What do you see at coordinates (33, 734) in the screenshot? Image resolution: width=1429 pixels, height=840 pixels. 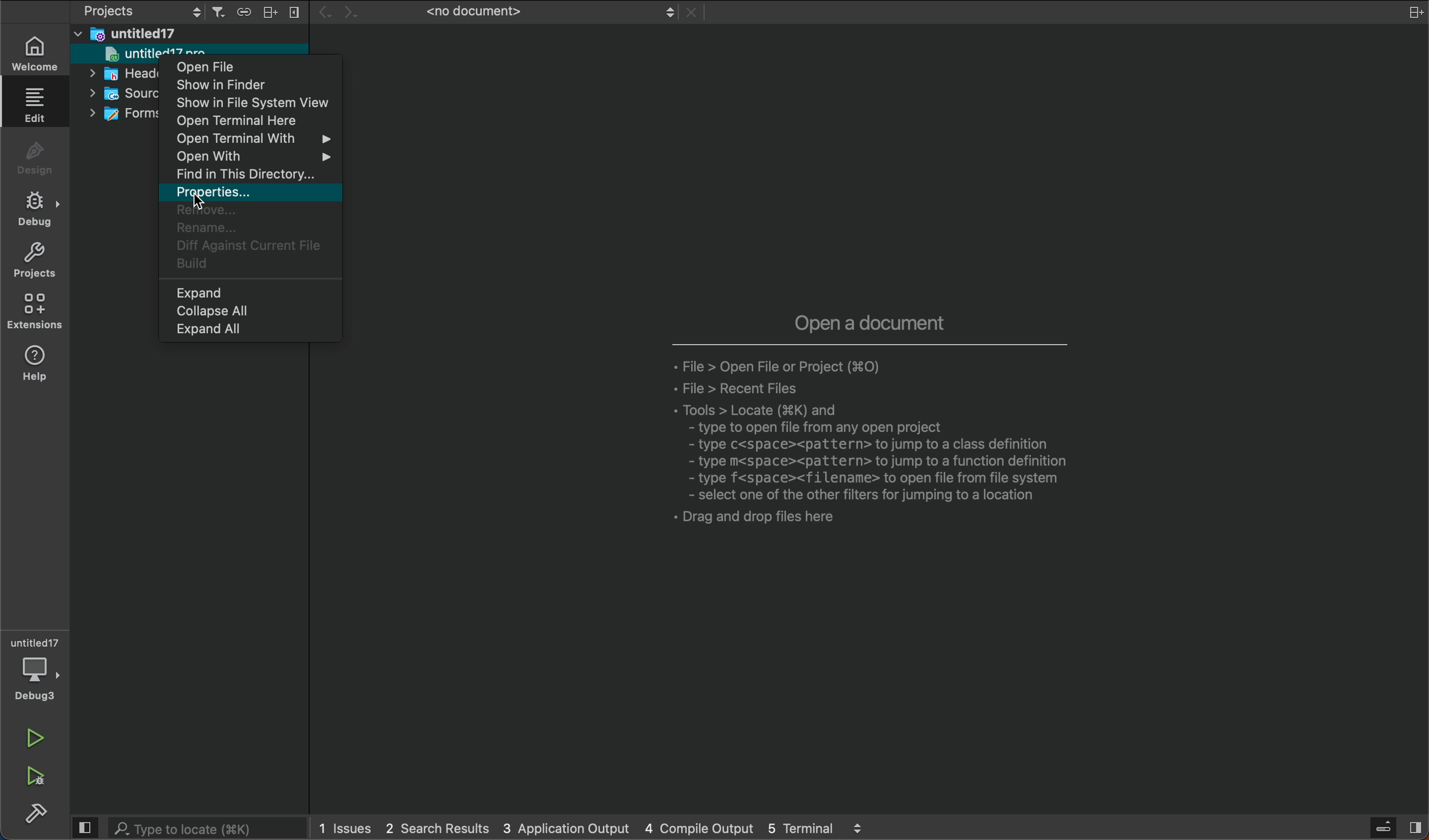 I see `run` at bounding box center [33, 734].